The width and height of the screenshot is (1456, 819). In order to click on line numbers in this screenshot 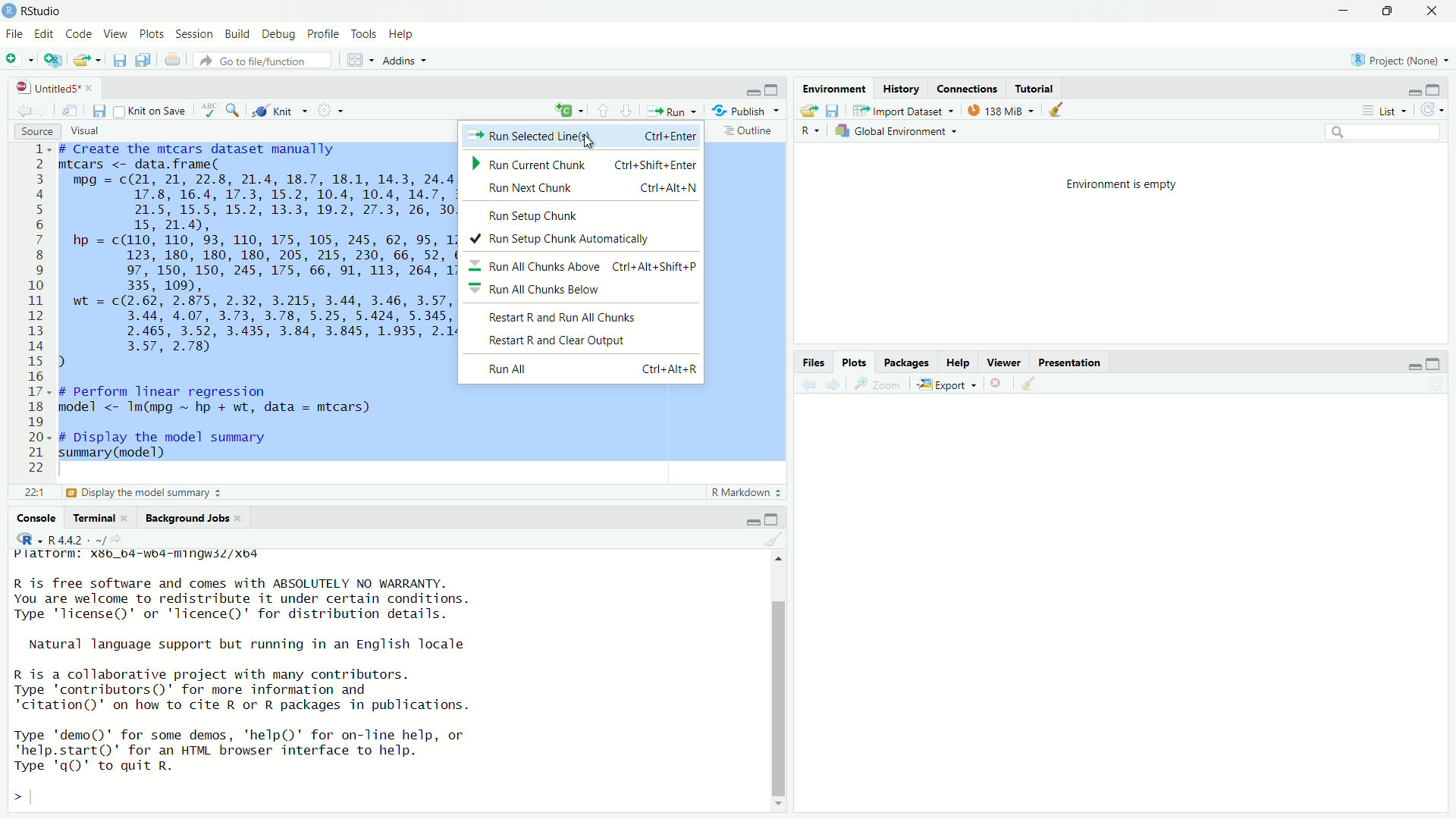, I will do `click(38, 309)`.